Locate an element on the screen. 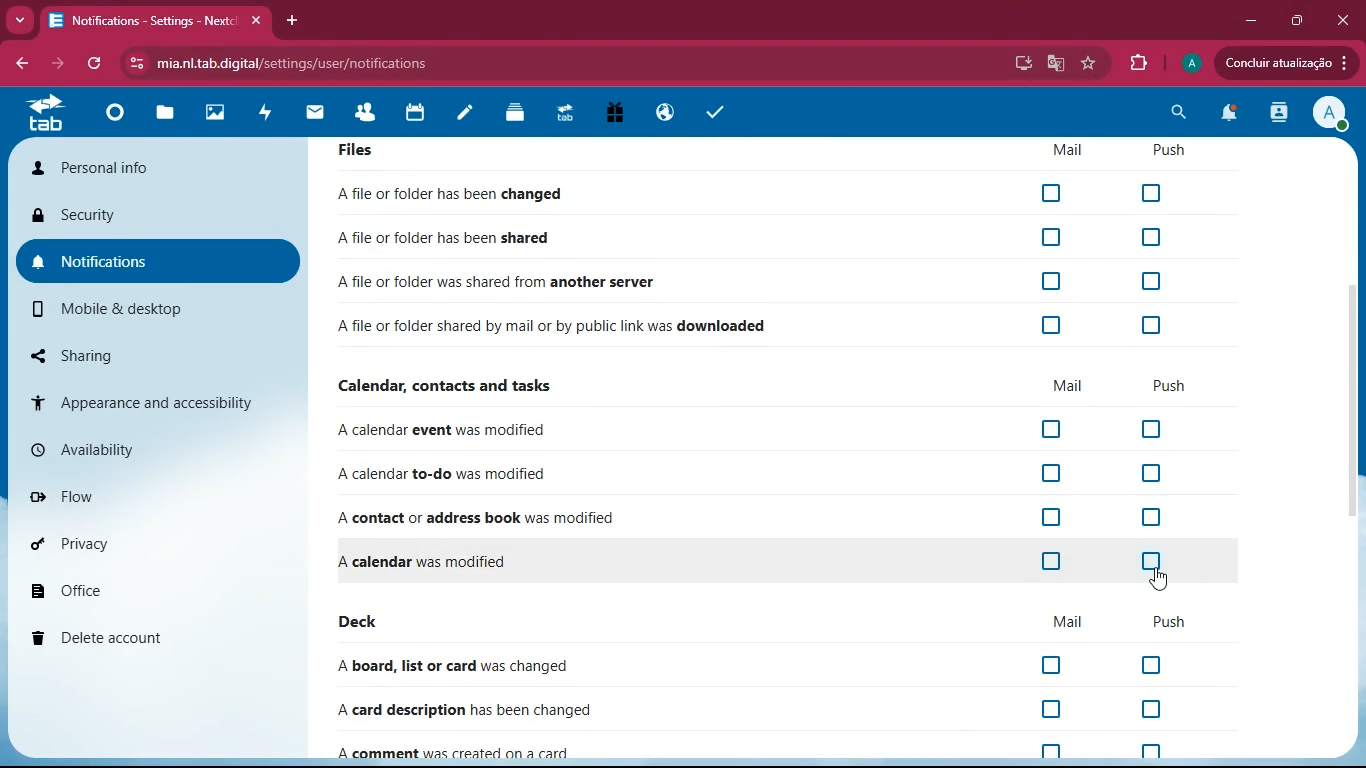 The width and height of the screenshot is (1366, 768). activity is located at coordinates (1281, 114).